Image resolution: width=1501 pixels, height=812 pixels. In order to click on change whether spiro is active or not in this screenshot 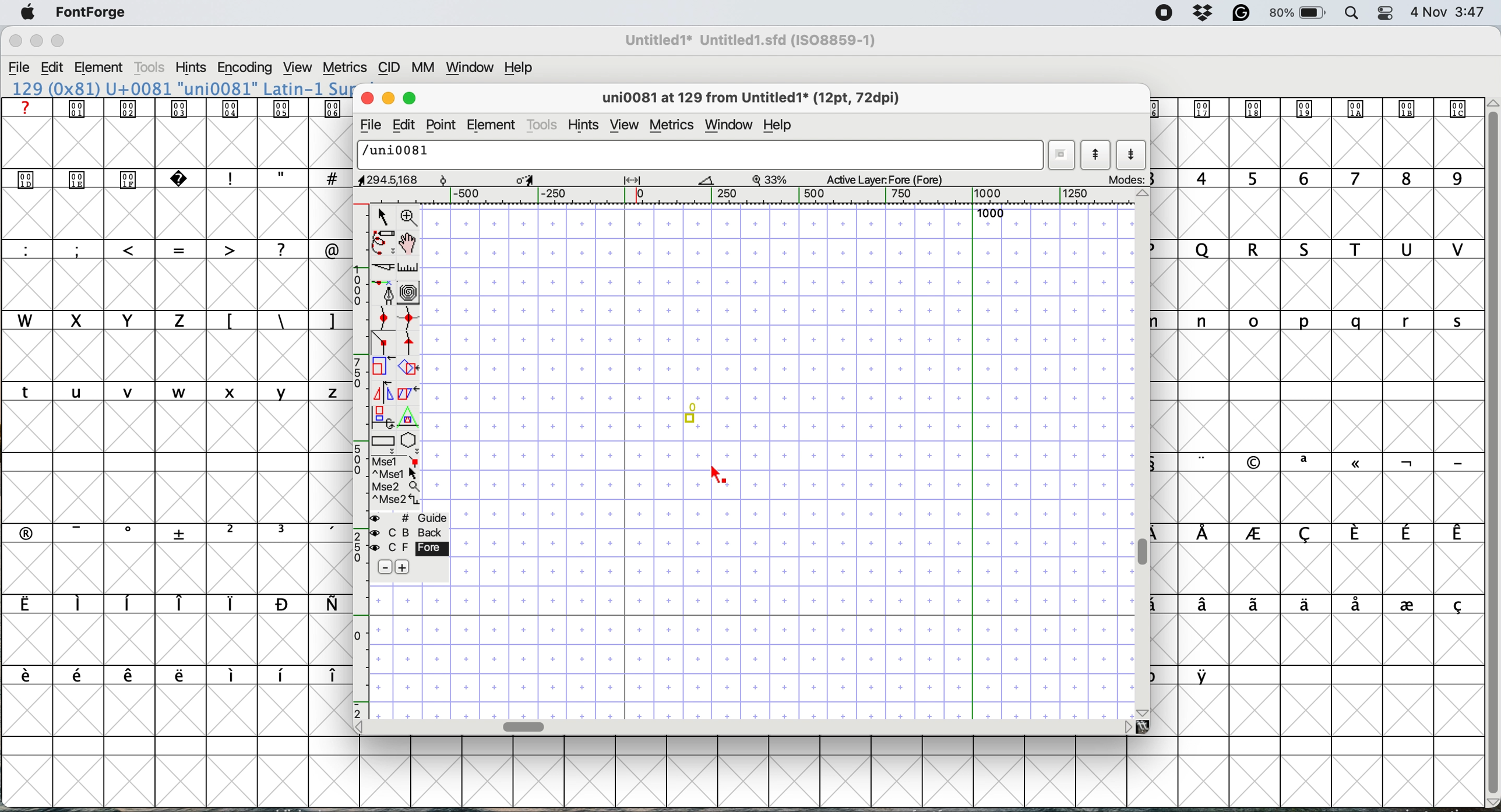, I will do `click(409, 291)`.